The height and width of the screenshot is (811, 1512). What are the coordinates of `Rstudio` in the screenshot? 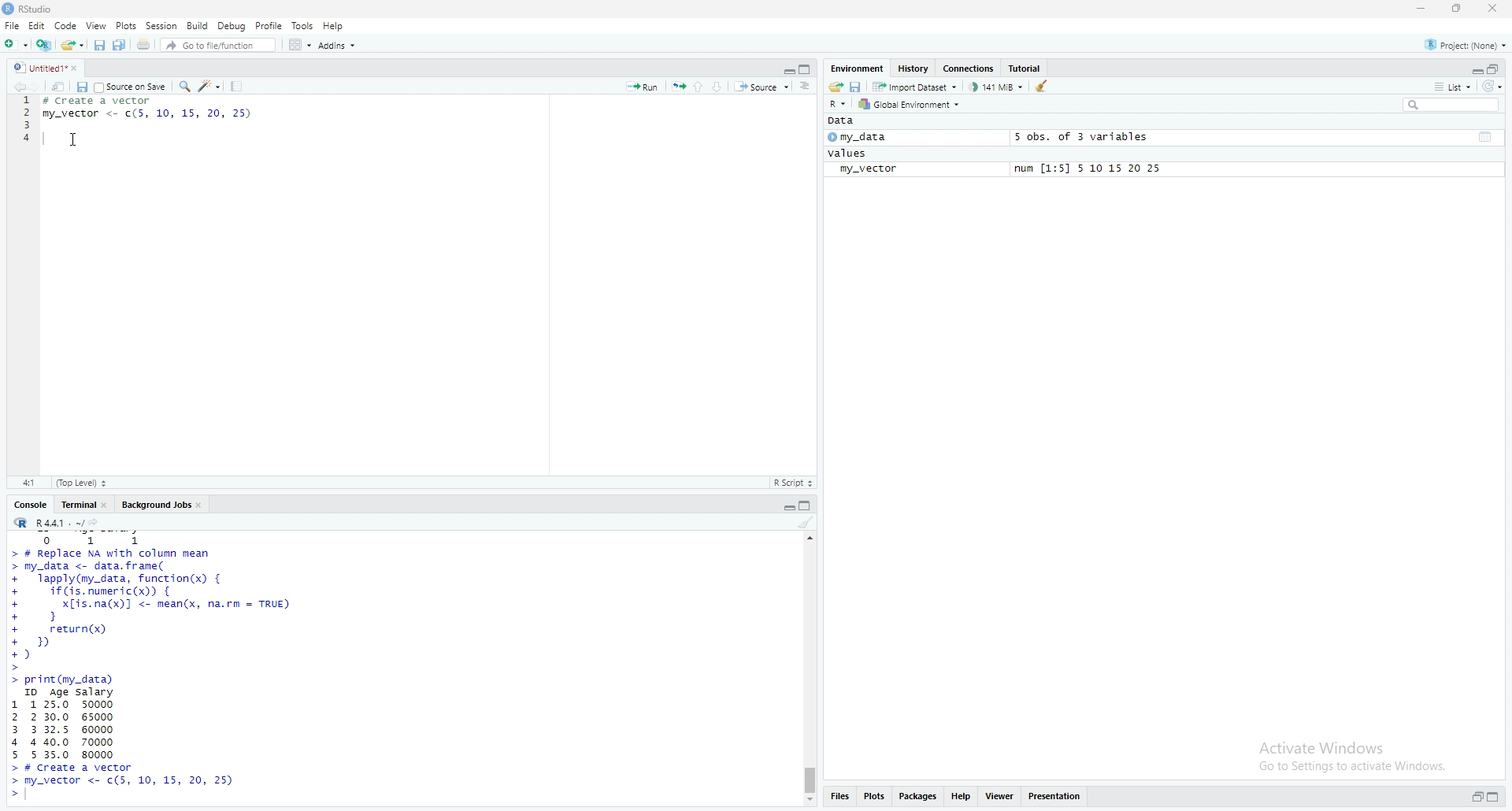 It's located at (31, 9).